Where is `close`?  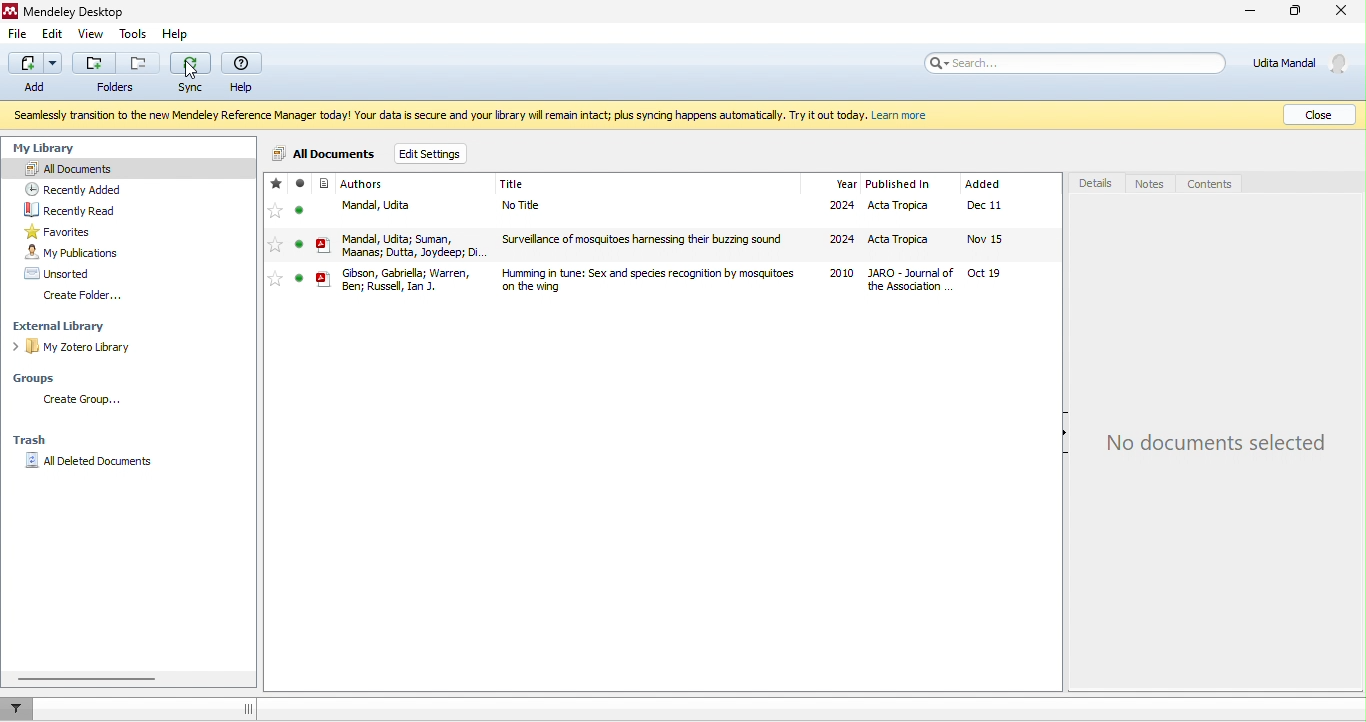
close is located at coordinates (1346, 13).